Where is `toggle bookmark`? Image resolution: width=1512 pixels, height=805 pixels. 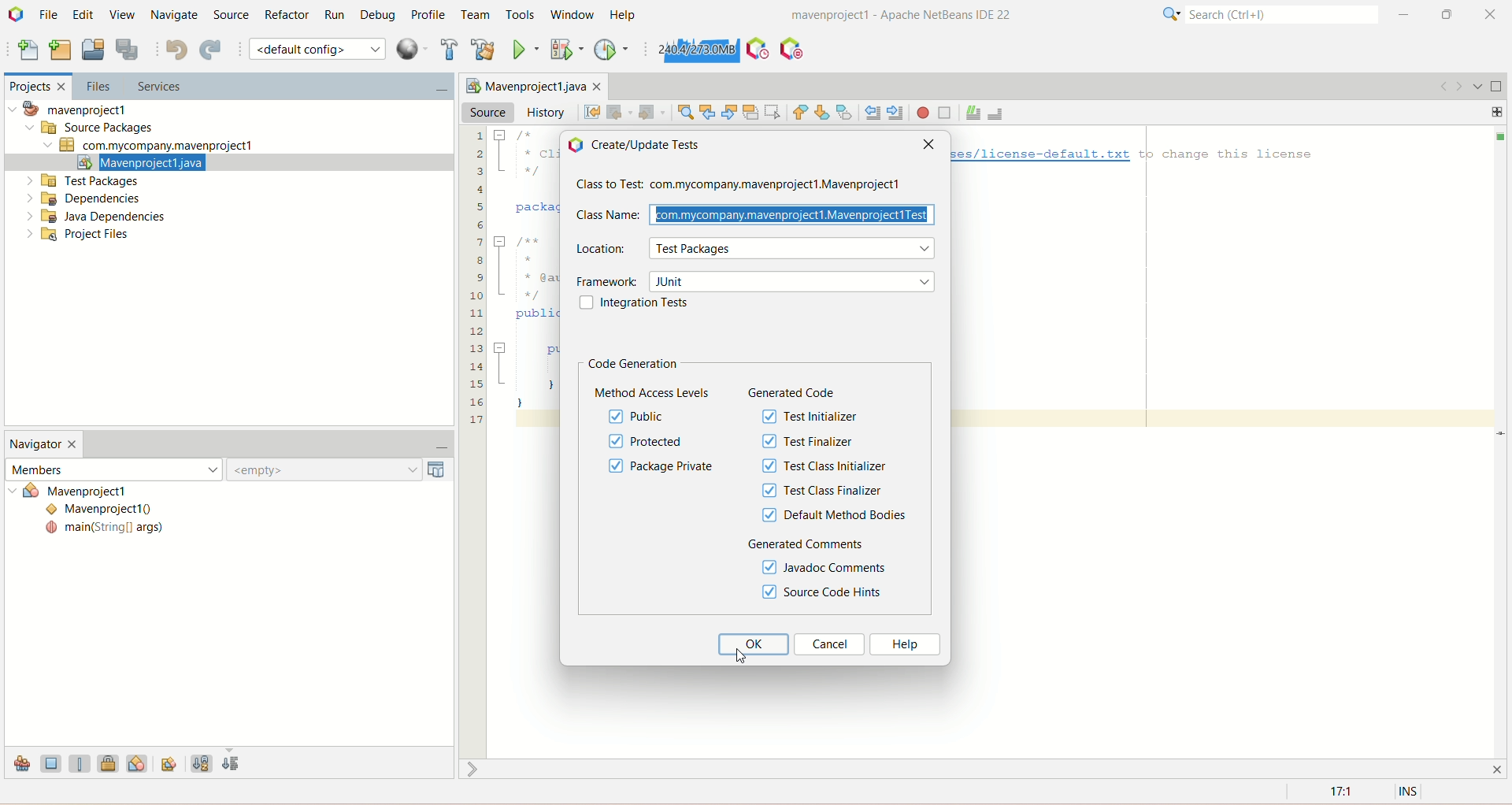
toggle bookmark is located at coordinates (847, 112).